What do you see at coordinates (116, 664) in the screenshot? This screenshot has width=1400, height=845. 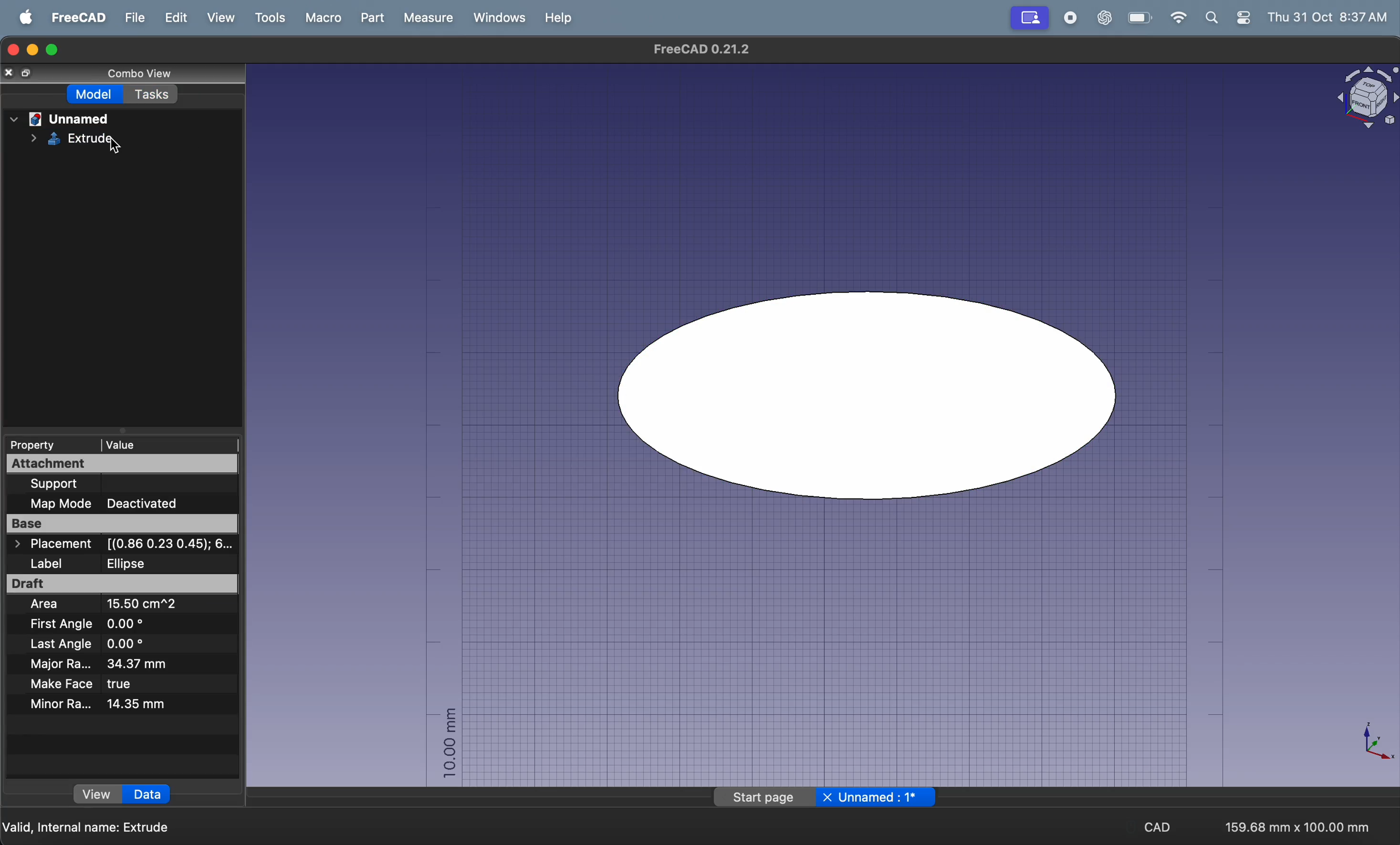 I see `major radius` at bounding box center [116, 664].